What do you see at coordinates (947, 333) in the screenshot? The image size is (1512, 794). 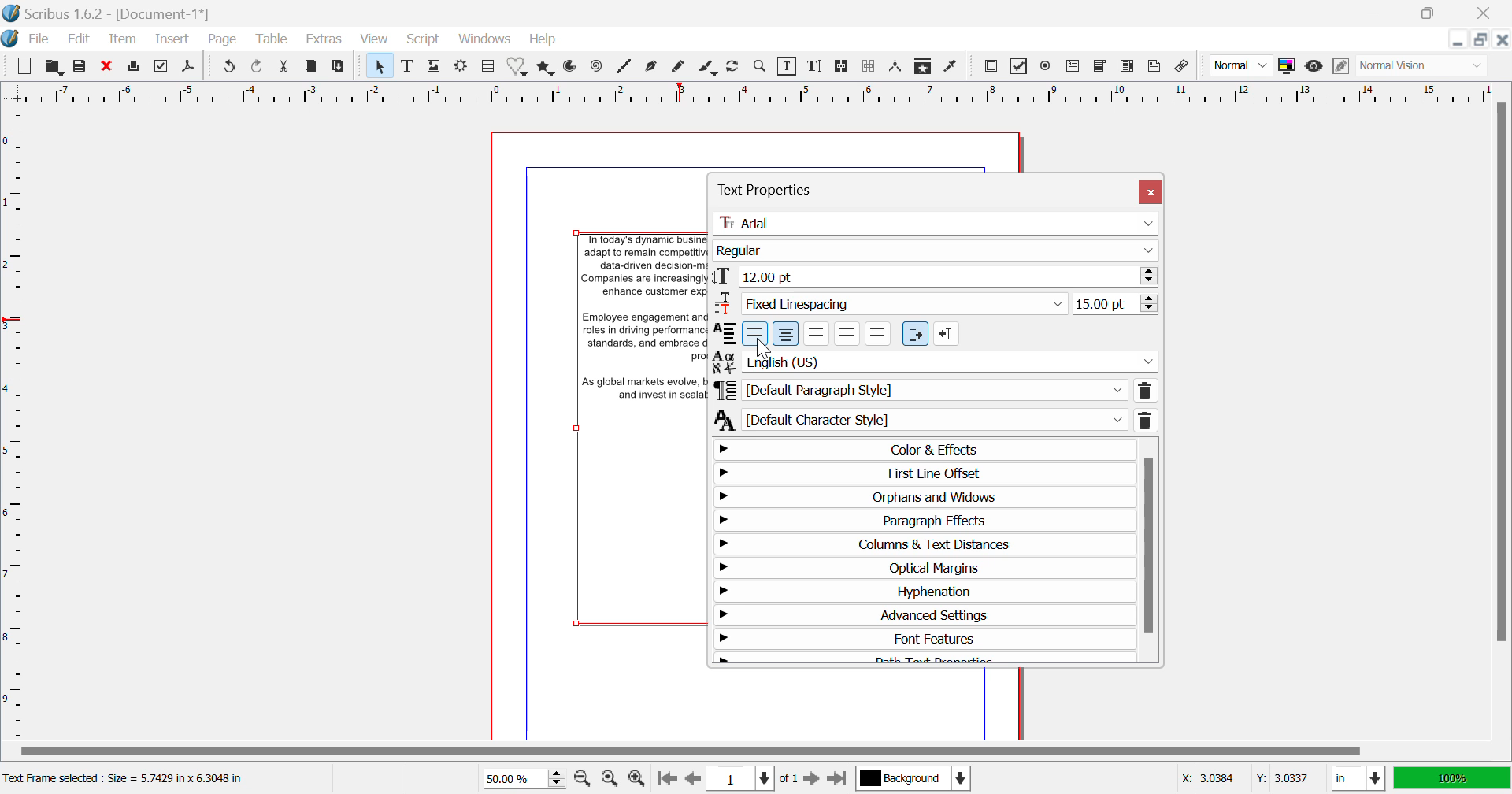 I see `Right to left paragraph` at bounding box center [947, 333].